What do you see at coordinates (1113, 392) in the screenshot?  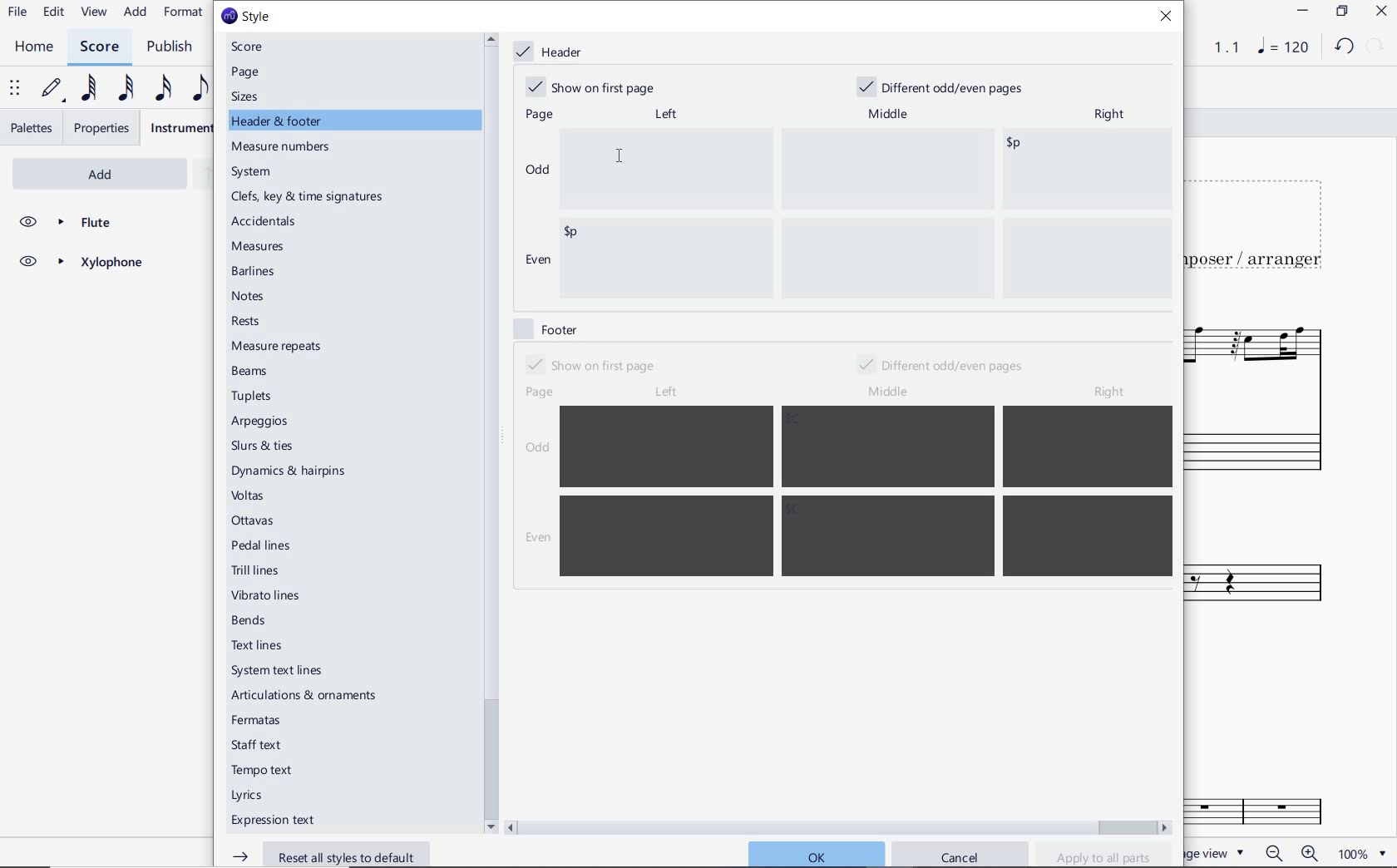 I see `right` at bounding box center [1113, 392].